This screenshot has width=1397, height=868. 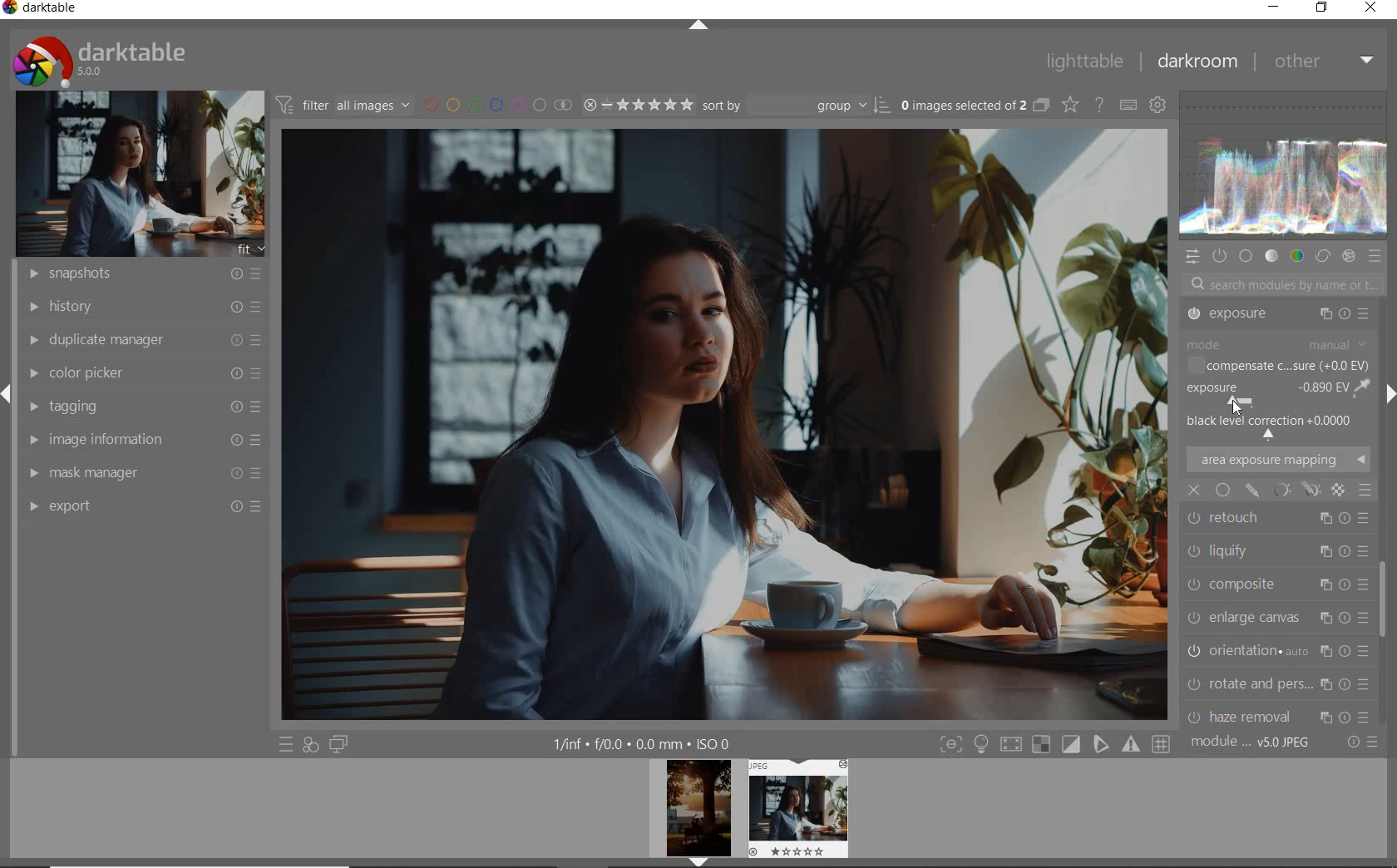 I want to click on SHOW GLOBAL PREFERENCE, so click(x=1159, y=105).